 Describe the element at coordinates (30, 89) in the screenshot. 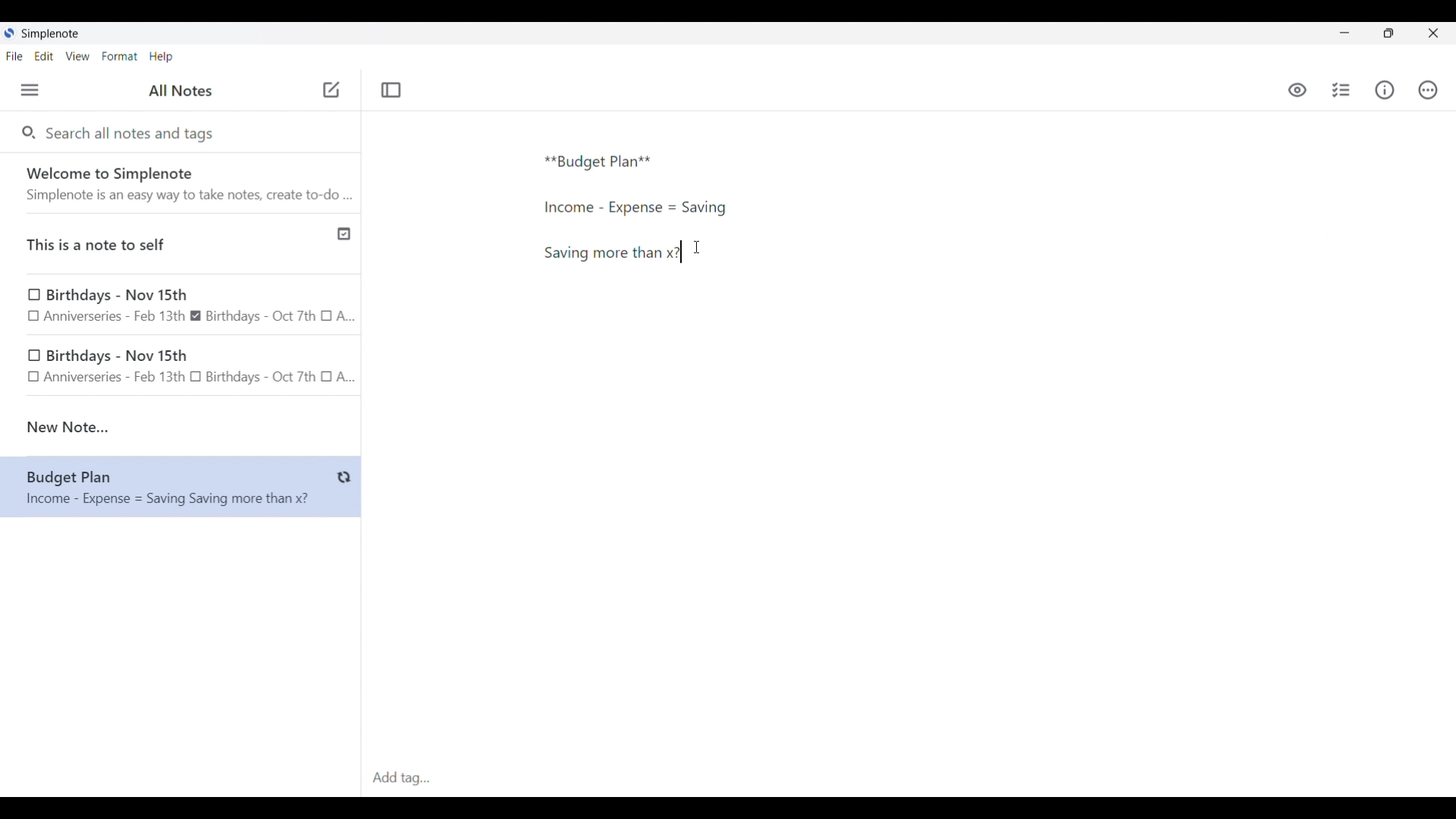

I see `Menu` at that location.